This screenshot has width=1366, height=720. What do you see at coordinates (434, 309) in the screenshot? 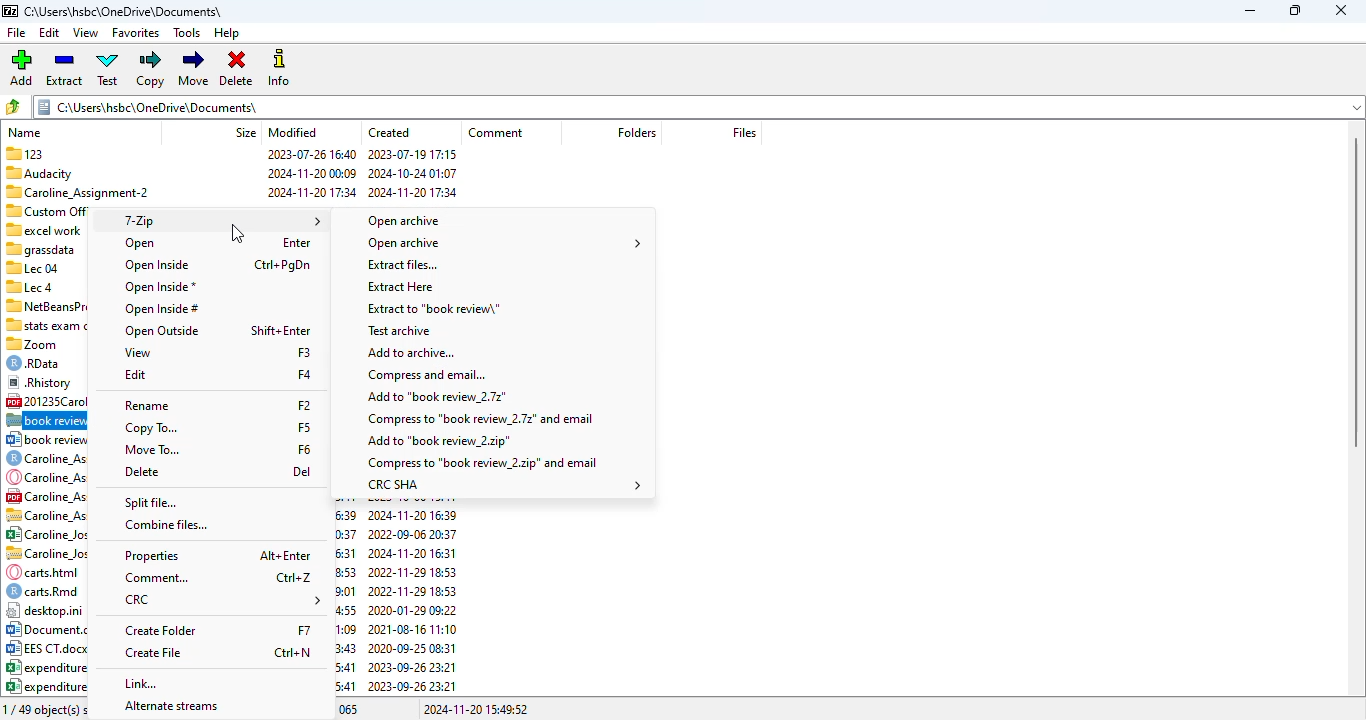
I see `extract to file` at bounding box center [434, 309].